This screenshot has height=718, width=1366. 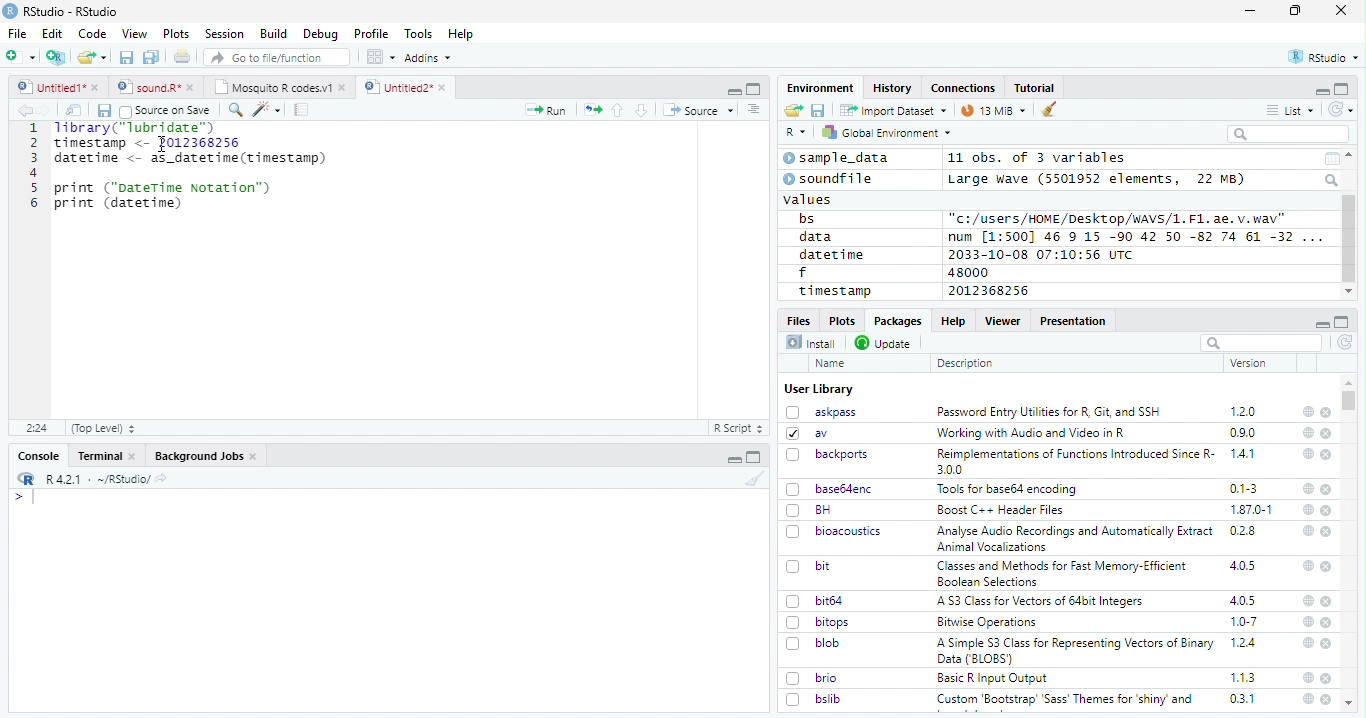 I want to click on RStudio - RStudio, so click(x=71, y=11).